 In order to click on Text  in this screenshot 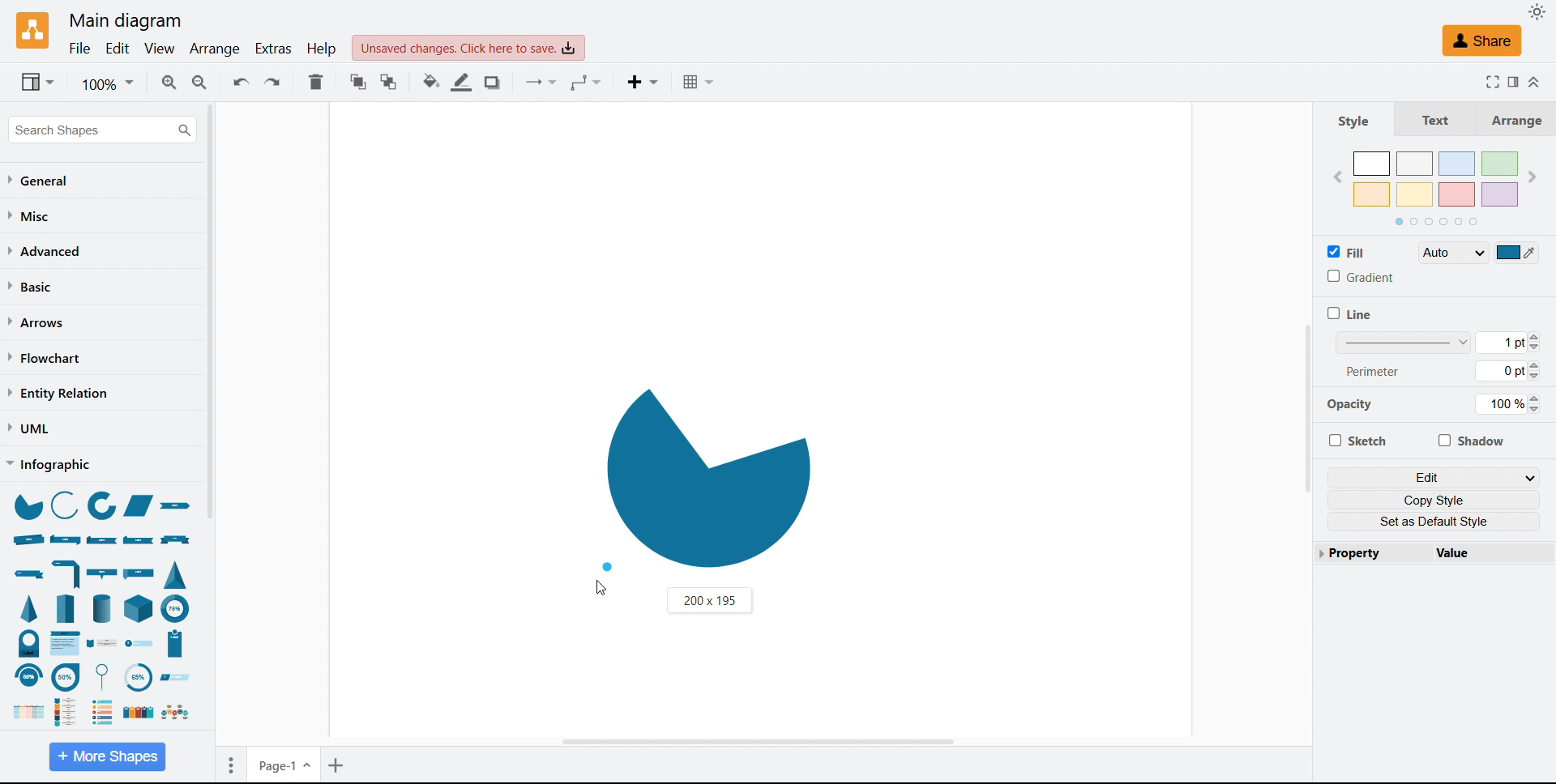, I will do `click(1429, 118)`.